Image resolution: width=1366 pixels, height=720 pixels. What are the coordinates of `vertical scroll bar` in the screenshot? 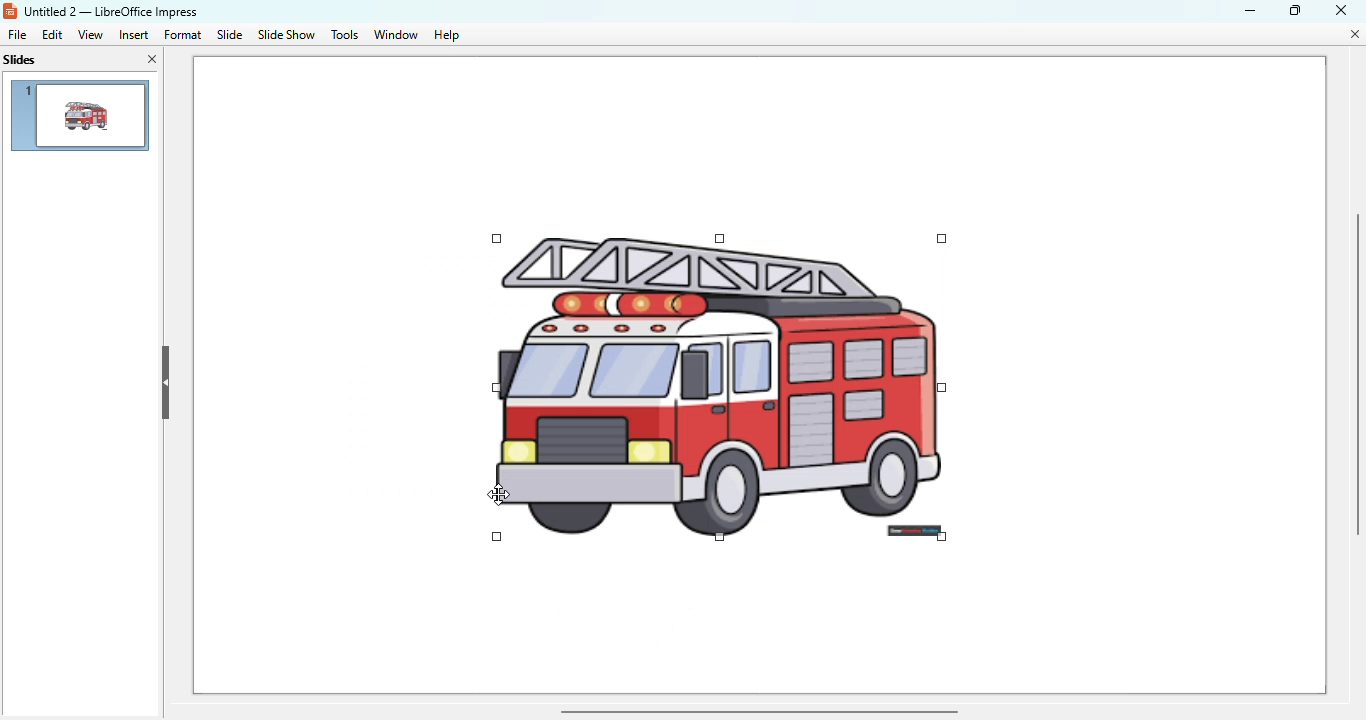 It's located at (1355, 375).